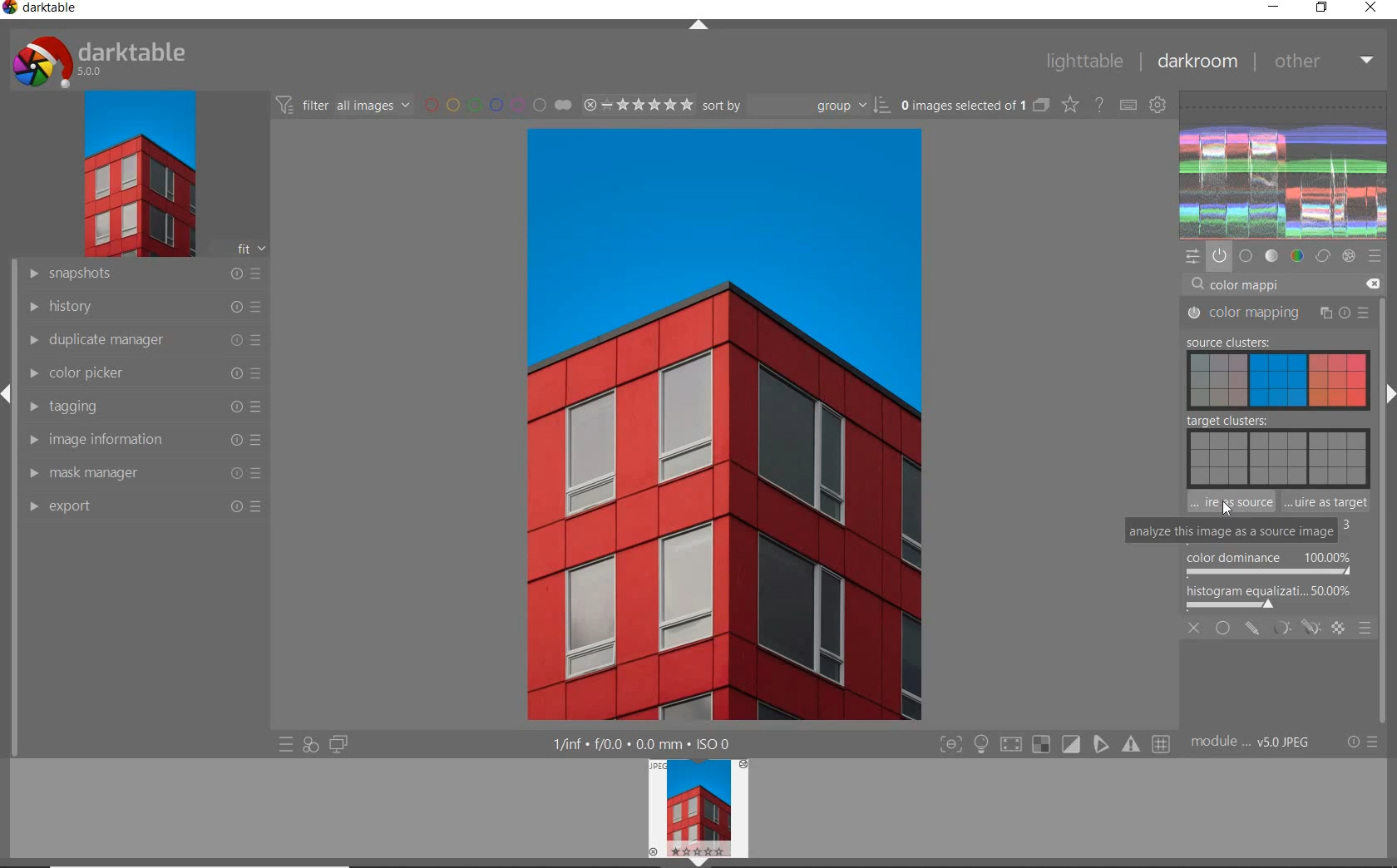 This screenshot has height=868, width=1397. What do you see at coordinates (1226, 506) in the screenshot?
I see `CURSOR POSITION` at bounding box center [1226, 506].